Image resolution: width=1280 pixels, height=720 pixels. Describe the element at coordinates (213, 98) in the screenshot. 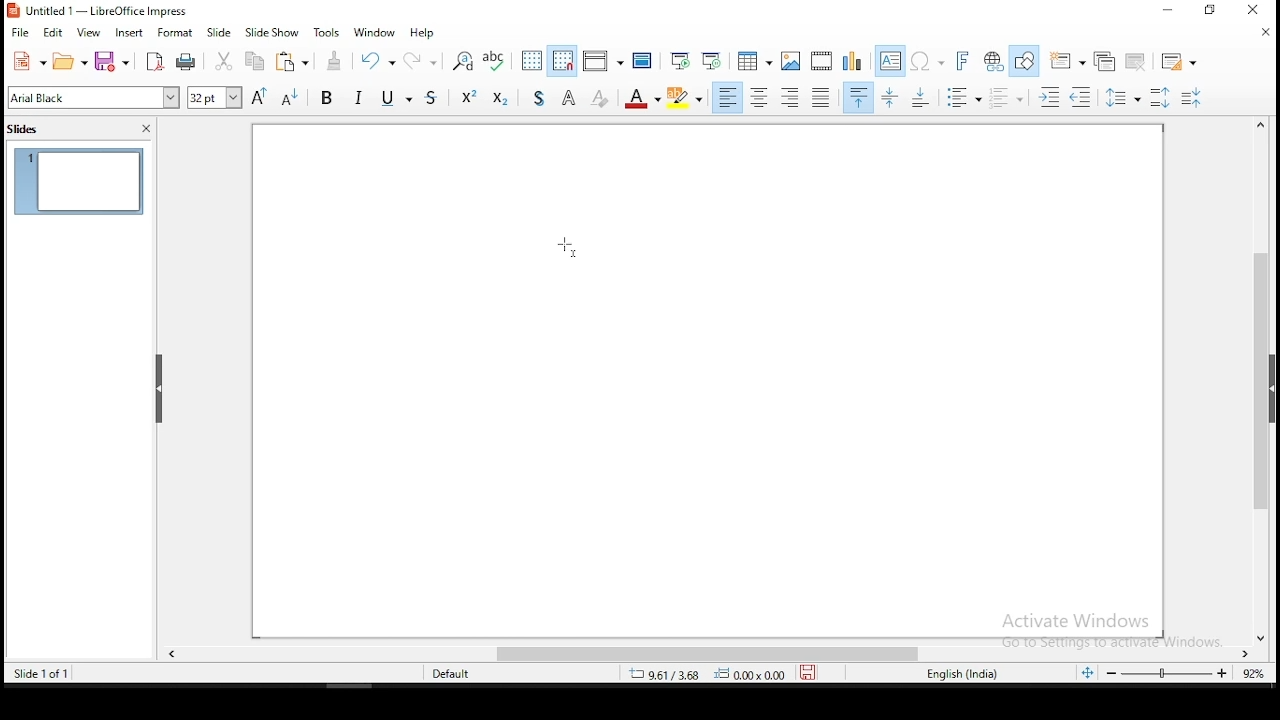

I see `32 pt` at that location.